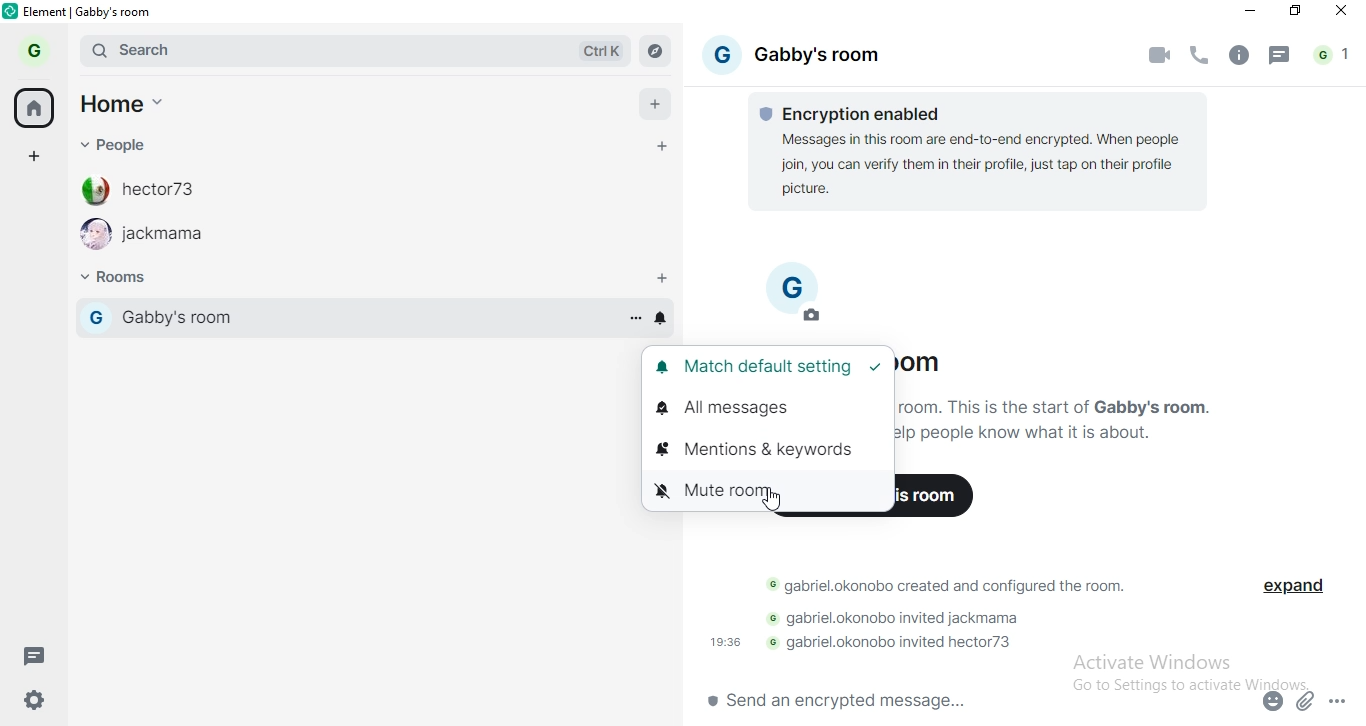  What do you see at coordinates (763, 373) in the screenshot?
I see `match default setting` at bounding box center [763, 373].